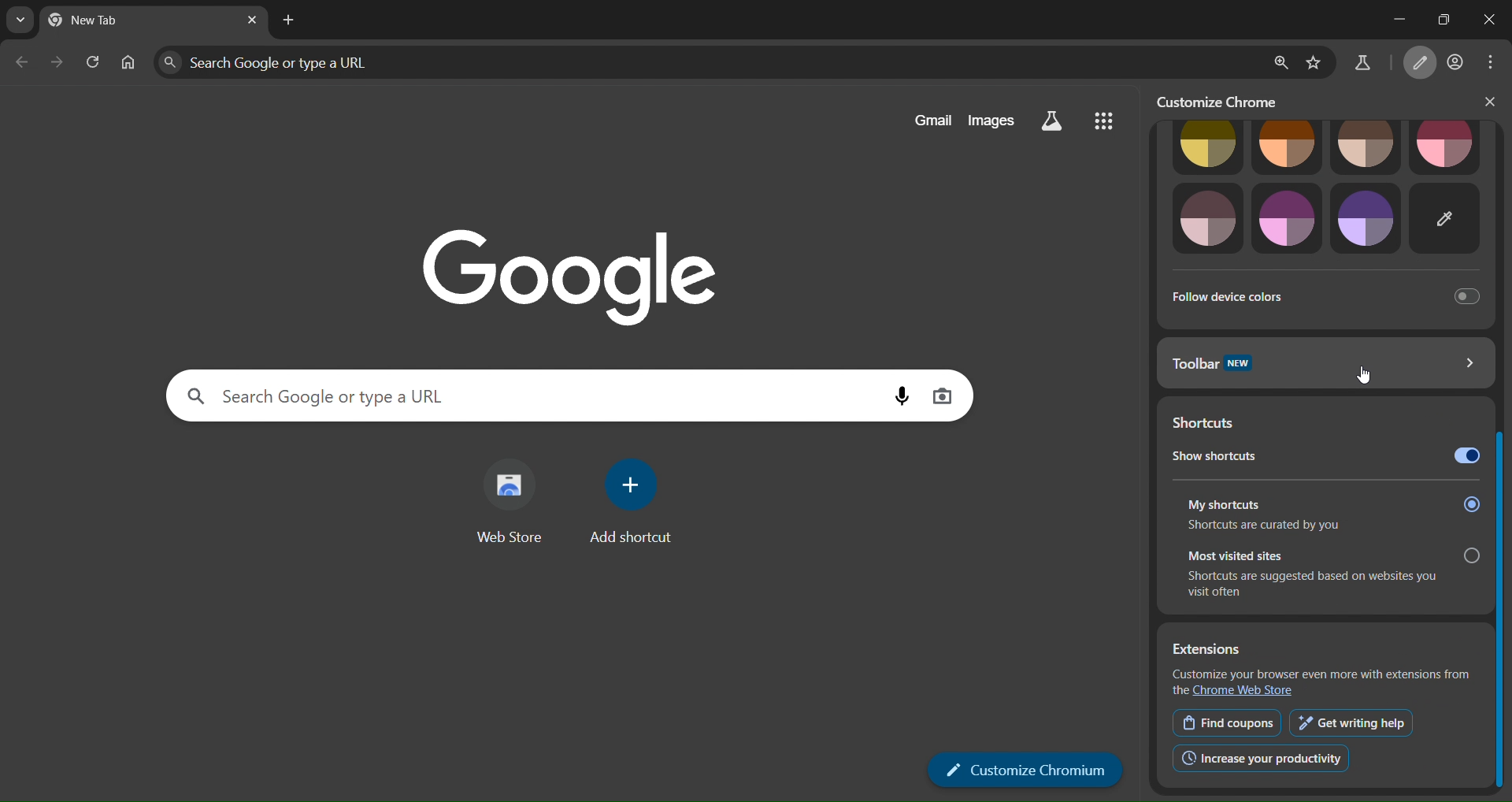 The image size is (1512, 802). Describe the element at coordinates (1208, 147) in the screenshot. I see `theme` at that location.